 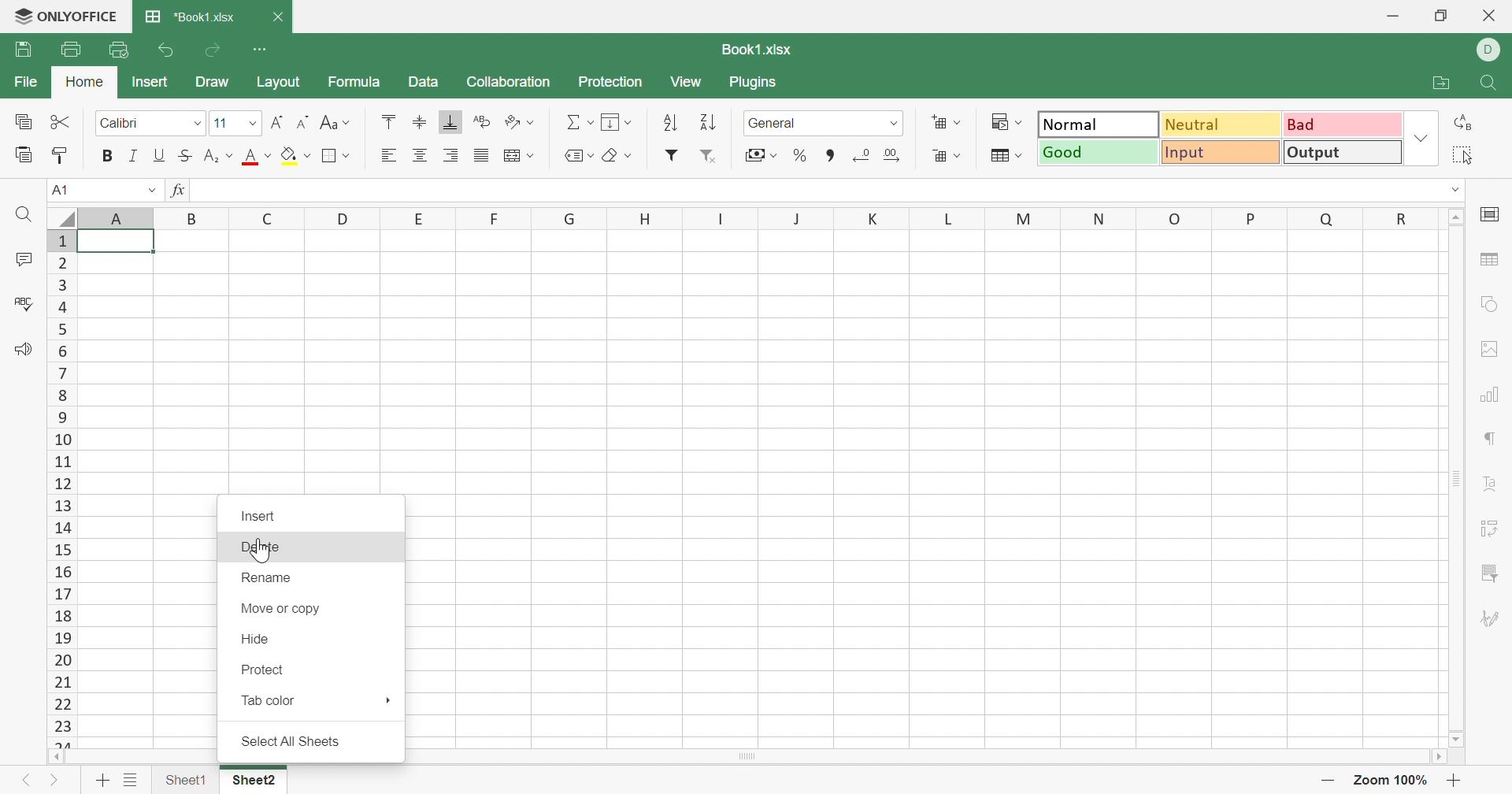 I want to click on Formula, so click(x=357, y=81).